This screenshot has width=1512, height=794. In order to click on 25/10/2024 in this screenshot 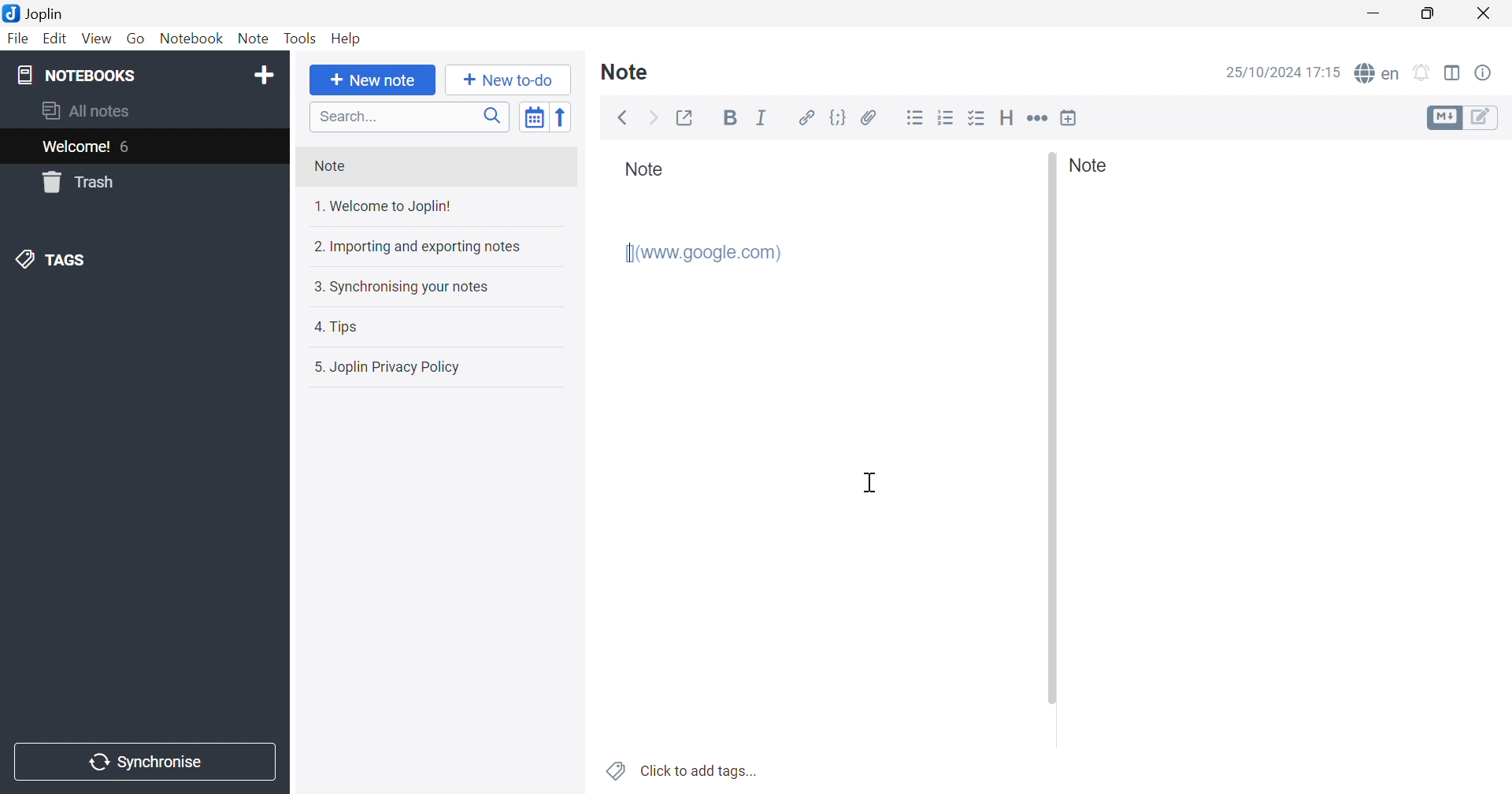, I will do `click(1261, 73)`.